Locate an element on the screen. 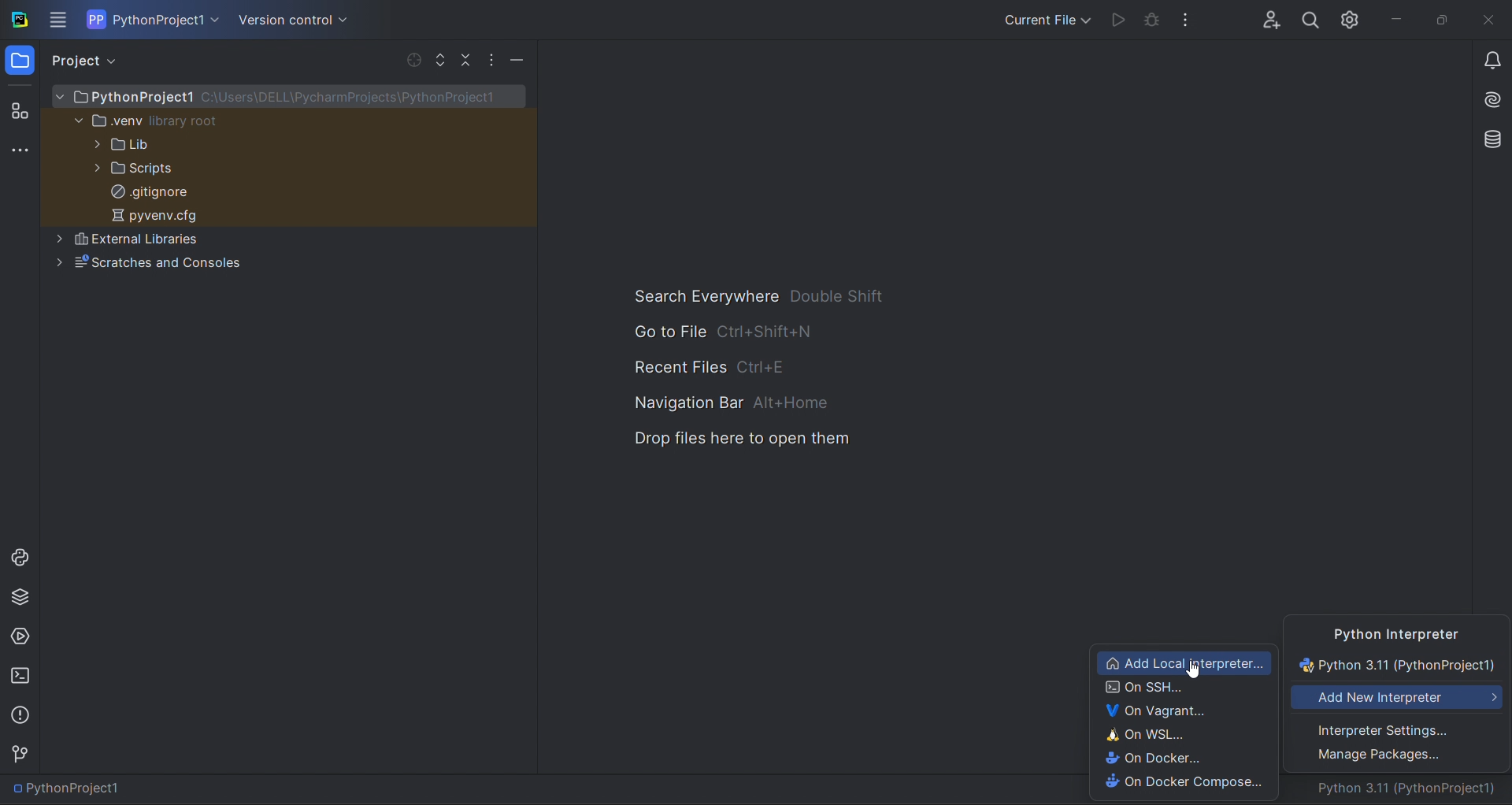  python package is located at coordinates (20, 600).